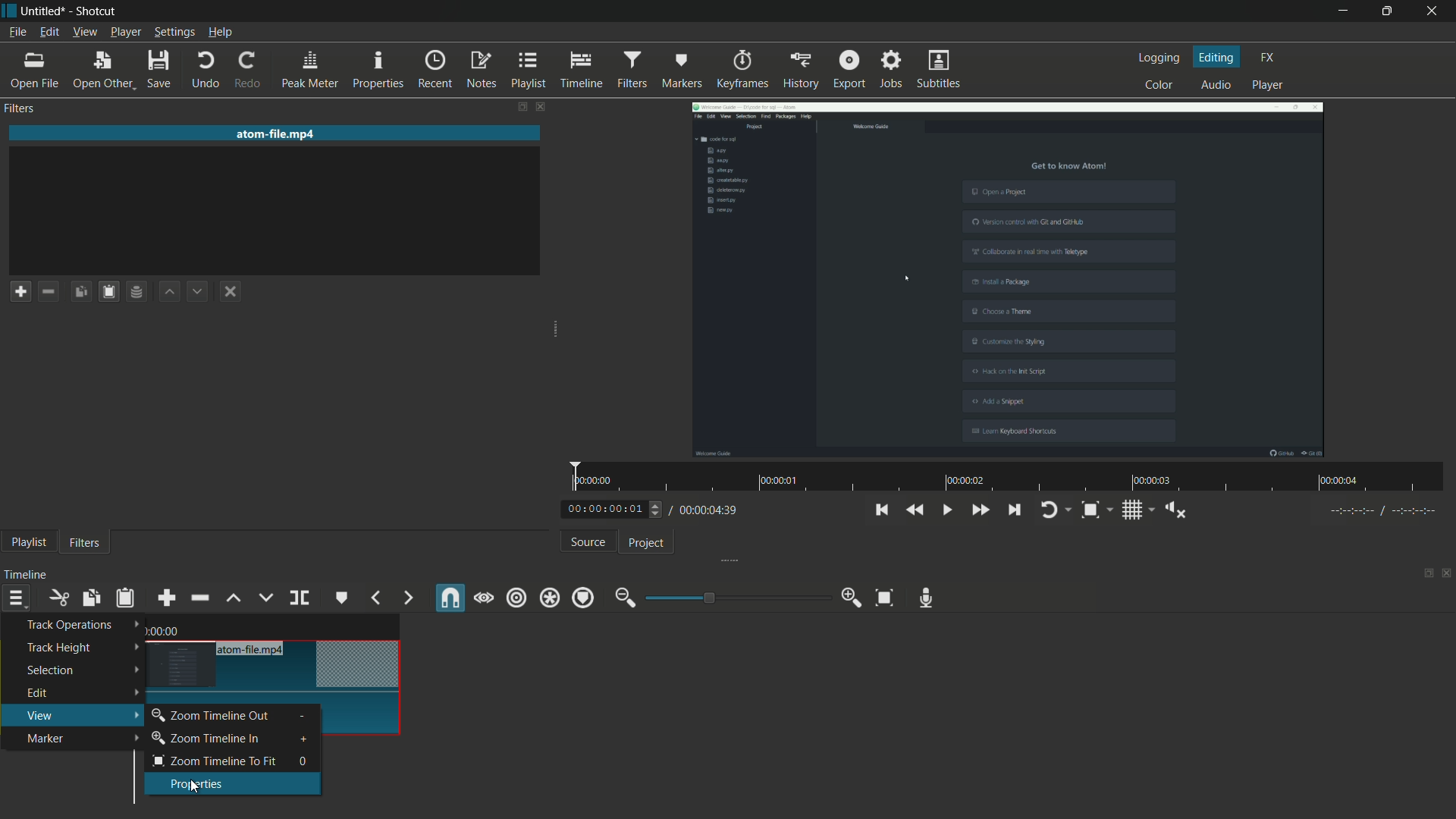 The height and width of the screenshot is (819, 1456). What do you see at coordinates (256, 650) in the screenshot?
I see `atom-file.mp4` at bounding box center [256, 650].